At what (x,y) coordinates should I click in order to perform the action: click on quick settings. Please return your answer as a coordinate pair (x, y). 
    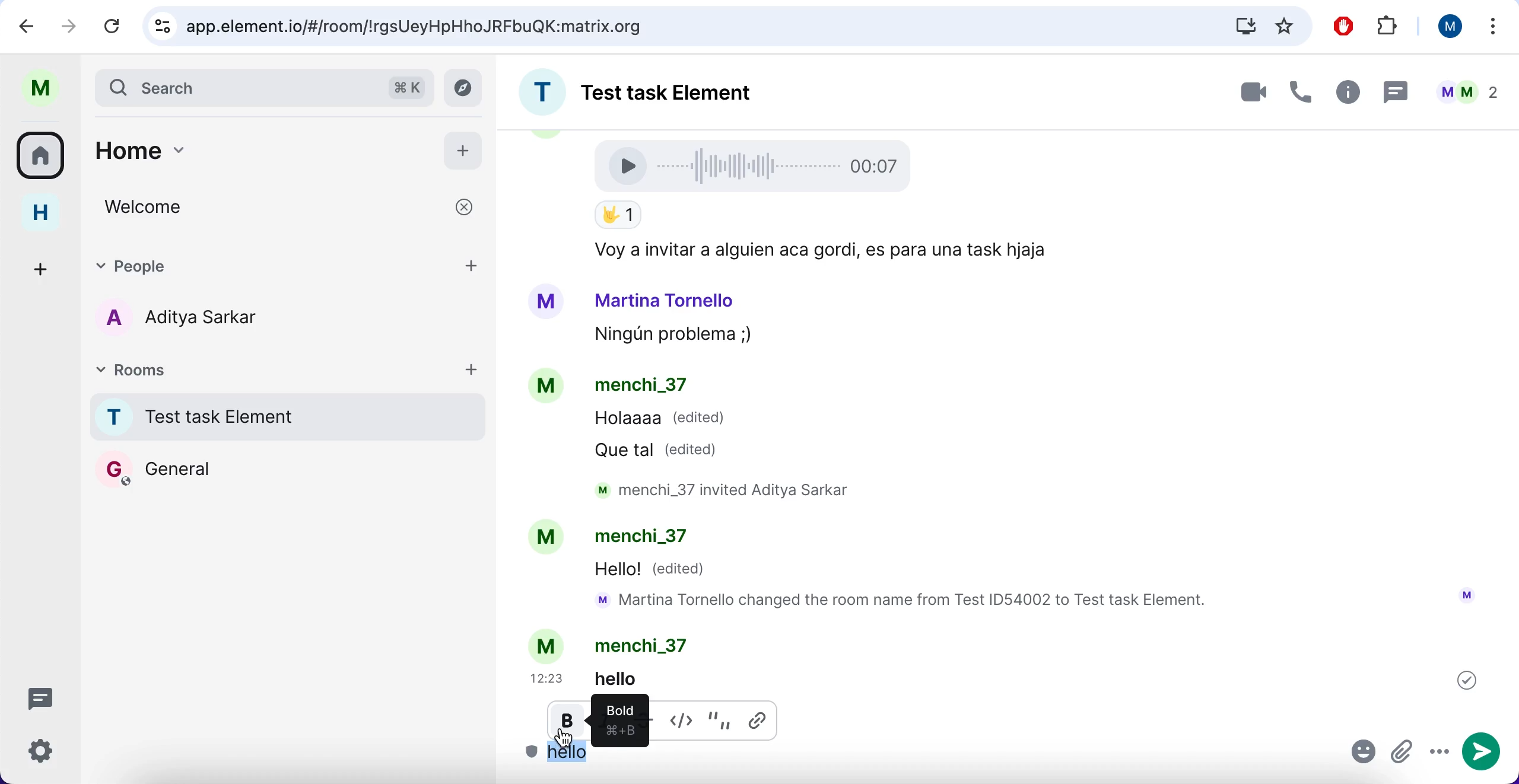
    Looking at the image, I should click on (49, 755).